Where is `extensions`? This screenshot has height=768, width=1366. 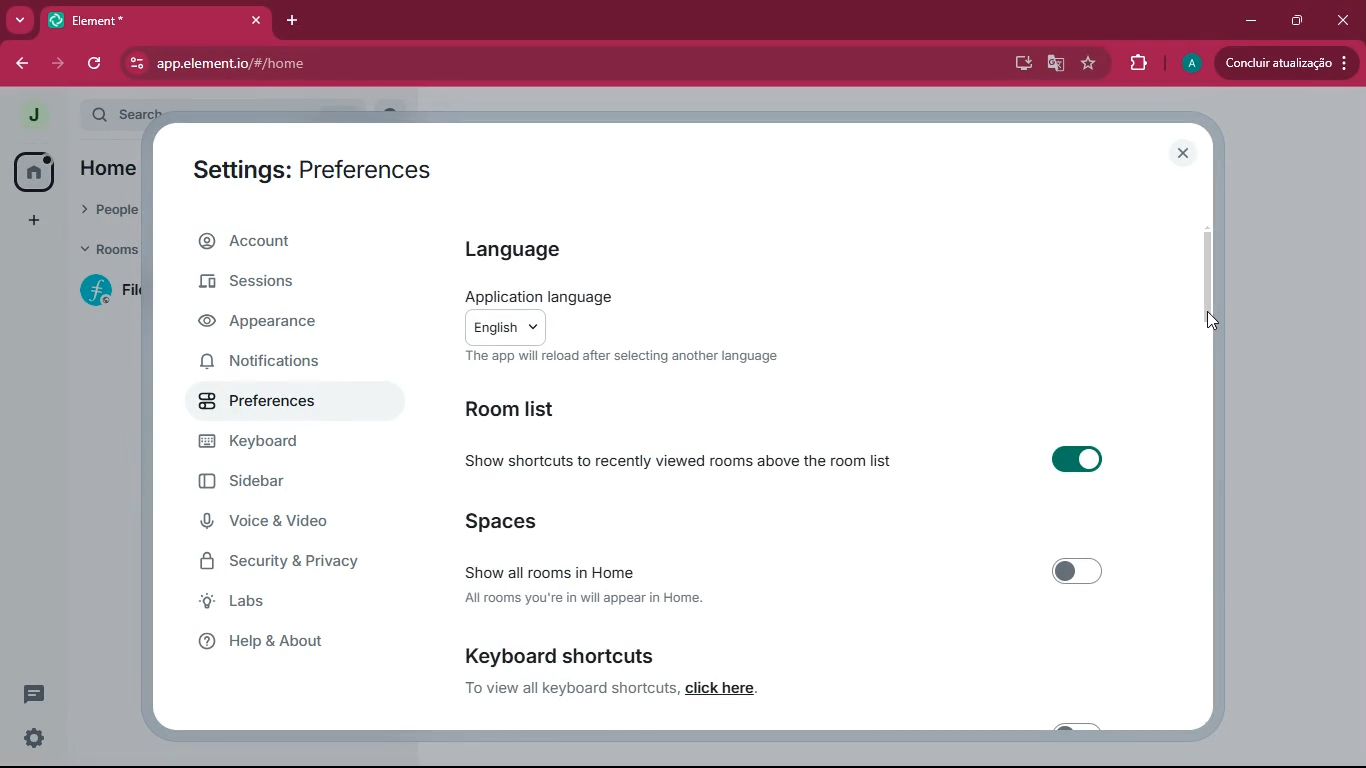 extensions is located at coordinates (1138, 63).